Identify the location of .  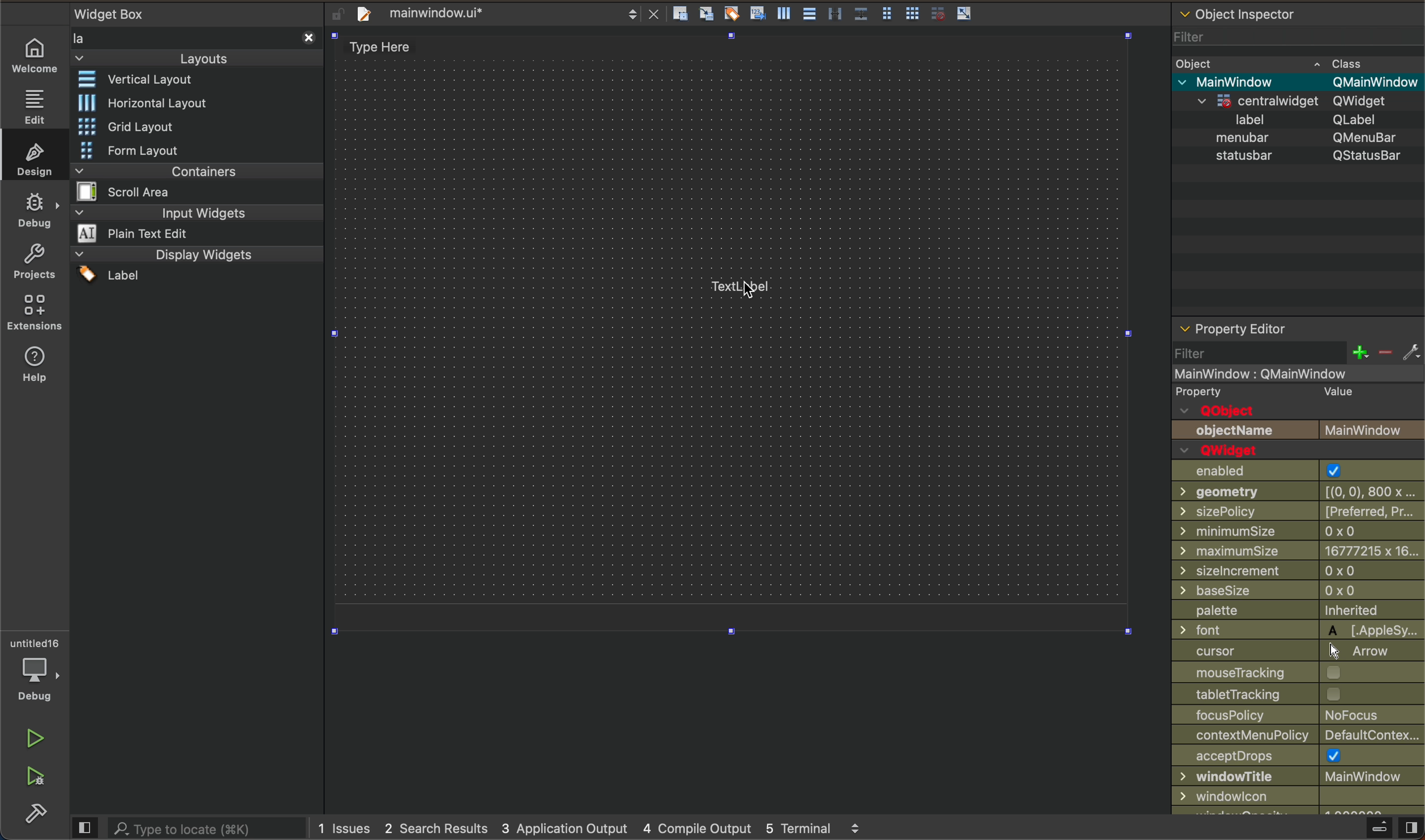
(1296, 629).